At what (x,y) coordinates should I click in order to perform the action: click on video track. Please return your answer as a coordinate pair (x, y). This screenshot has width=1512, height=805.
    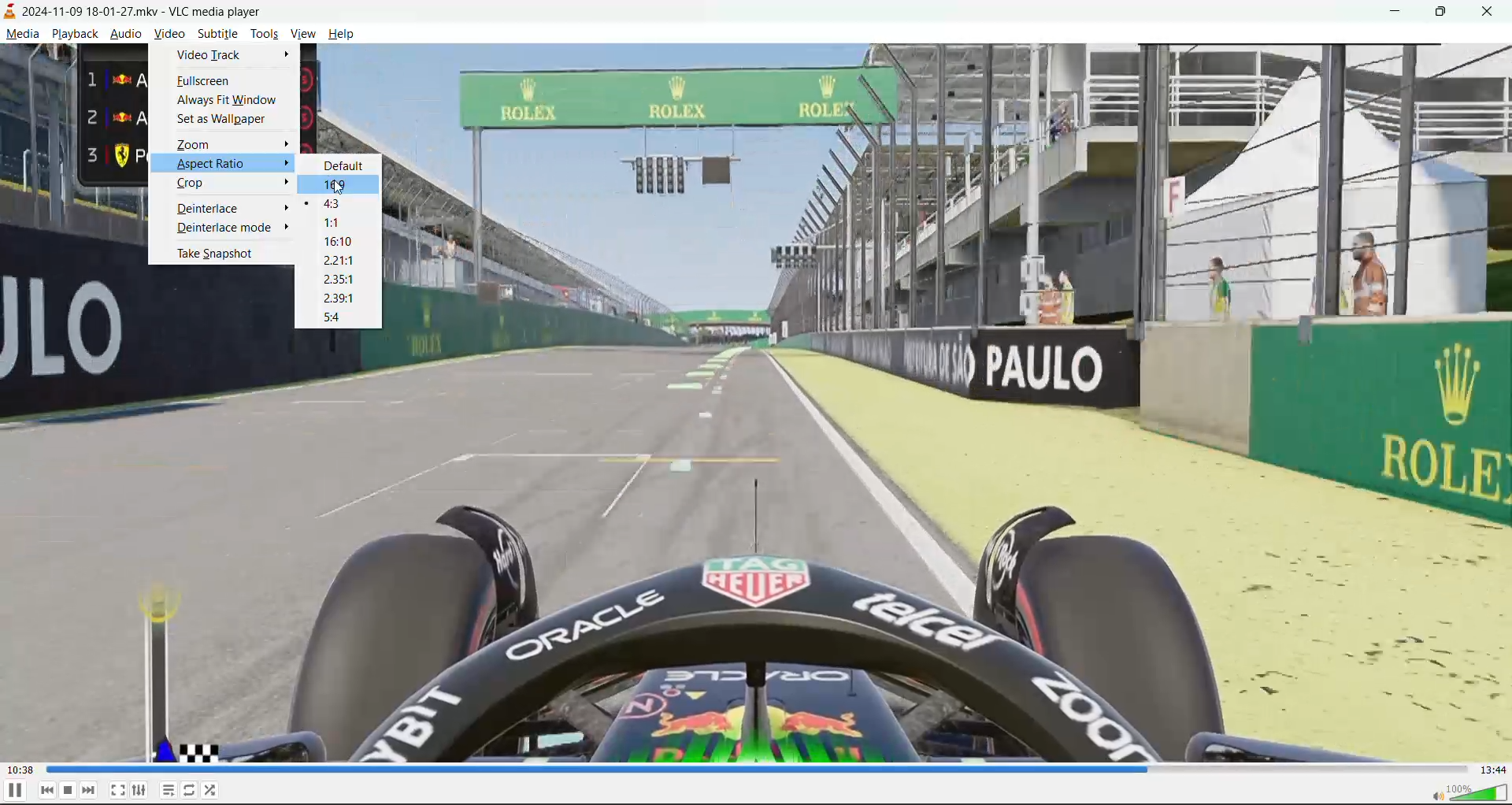
    Looking at the image, I should click on (210, 54).